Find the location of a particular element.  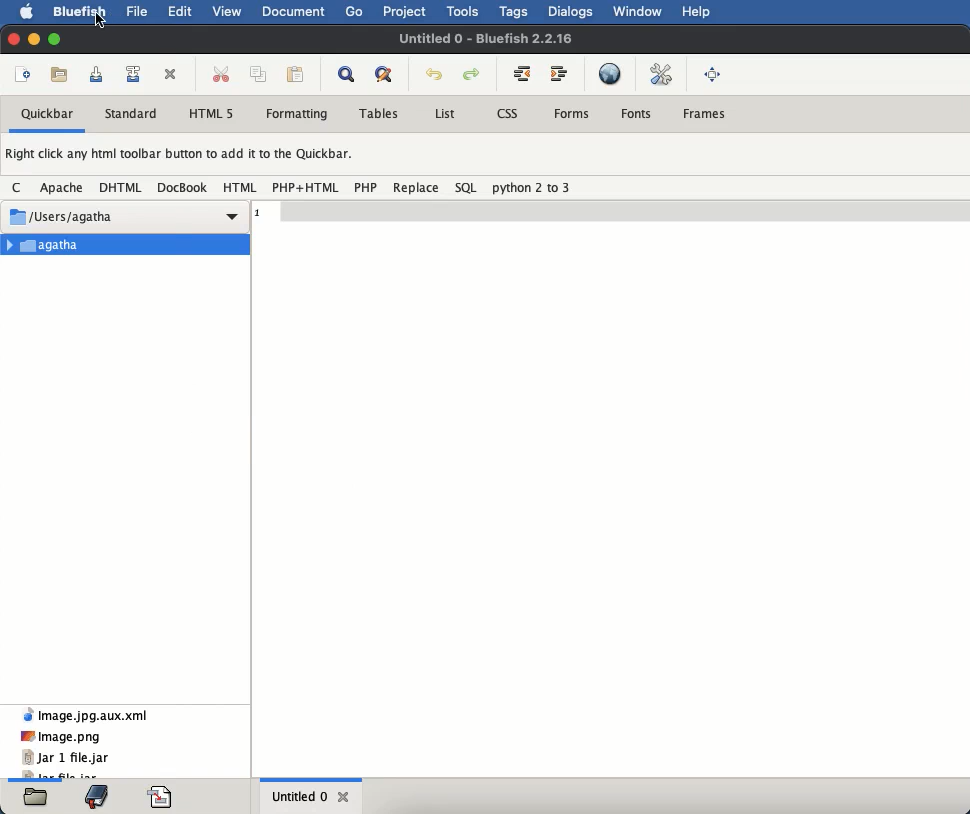

bookmark is located at coordinates (96, 796).